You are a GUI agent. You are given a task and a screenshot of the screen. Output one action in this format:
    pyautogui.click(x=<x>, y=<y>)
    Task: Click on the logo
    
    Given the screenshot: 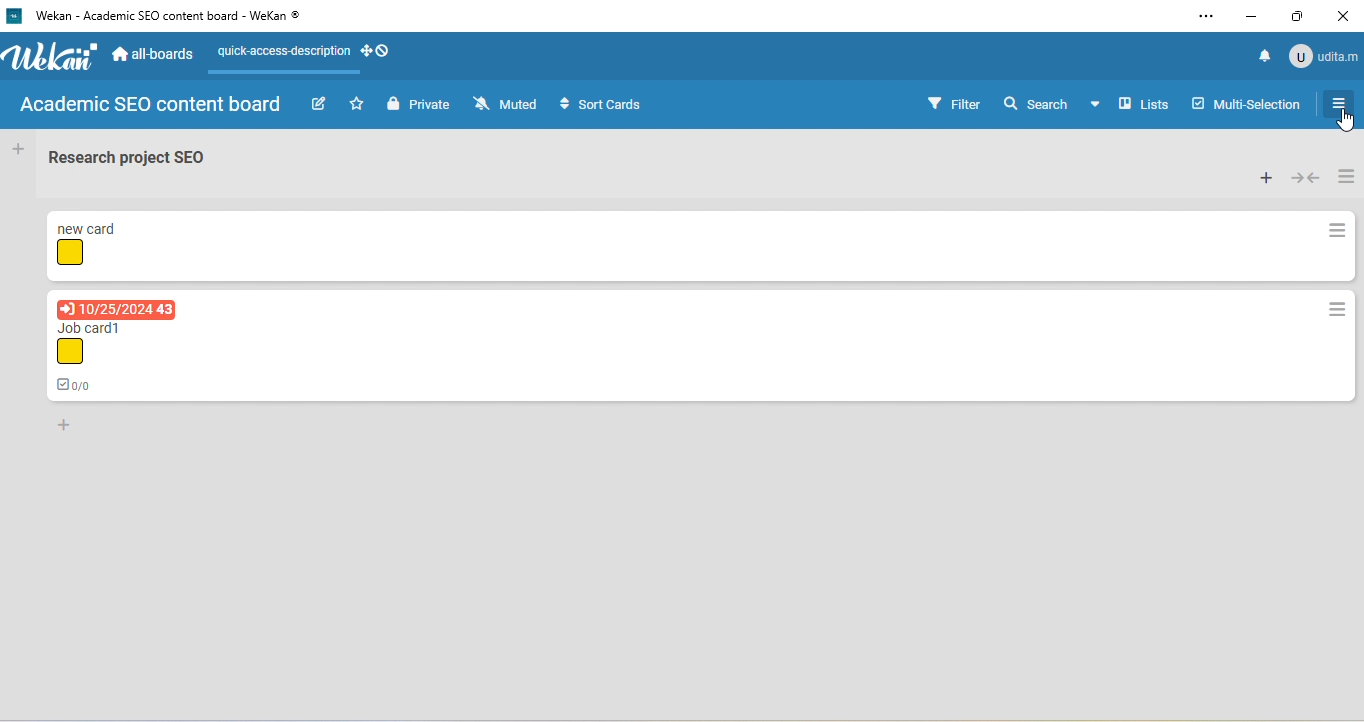 What is the action you would take?
    pyautogui.click(x=13, y=16)
    